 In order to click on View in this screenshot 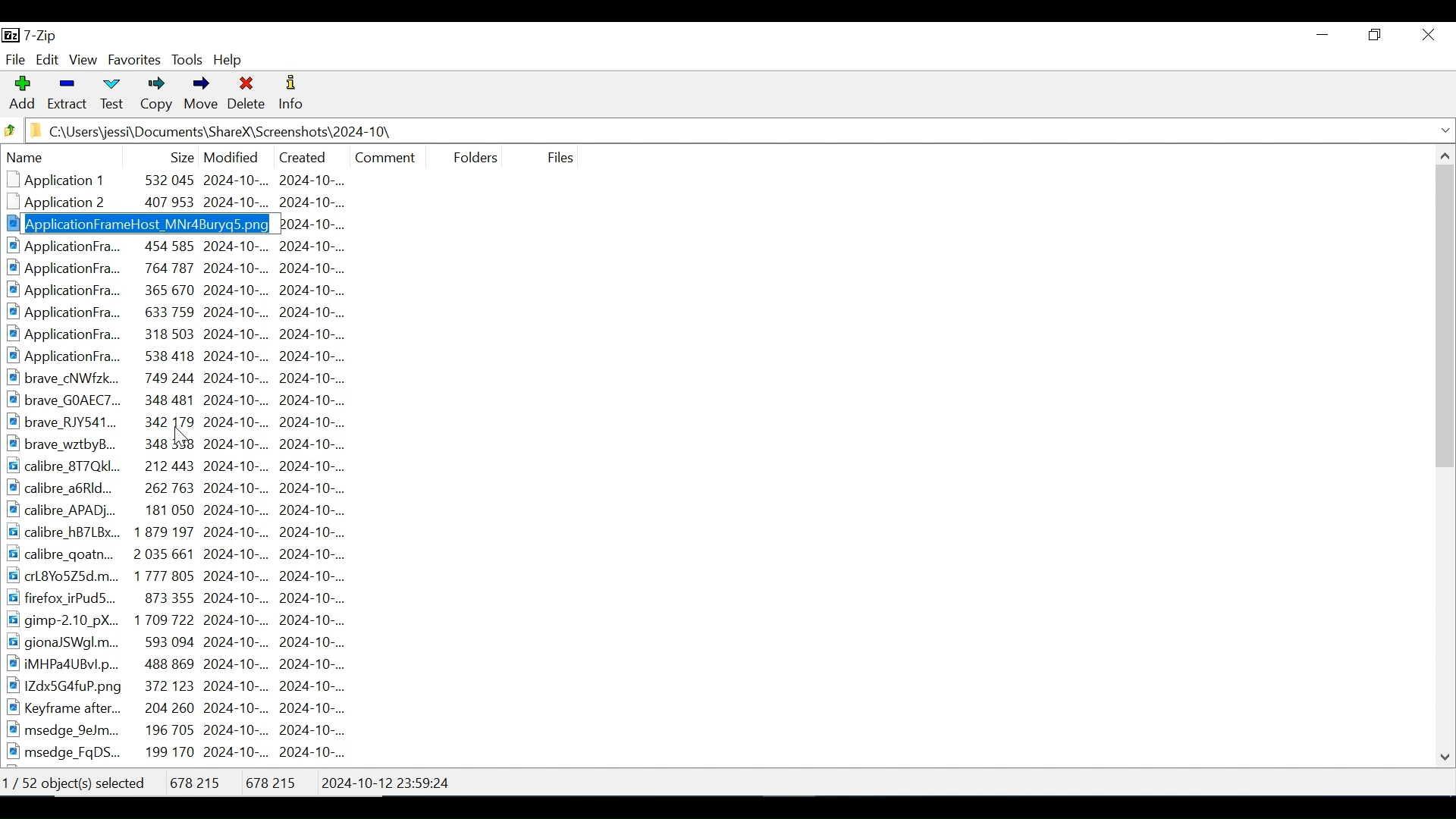, I will do `click(84, 61)`.